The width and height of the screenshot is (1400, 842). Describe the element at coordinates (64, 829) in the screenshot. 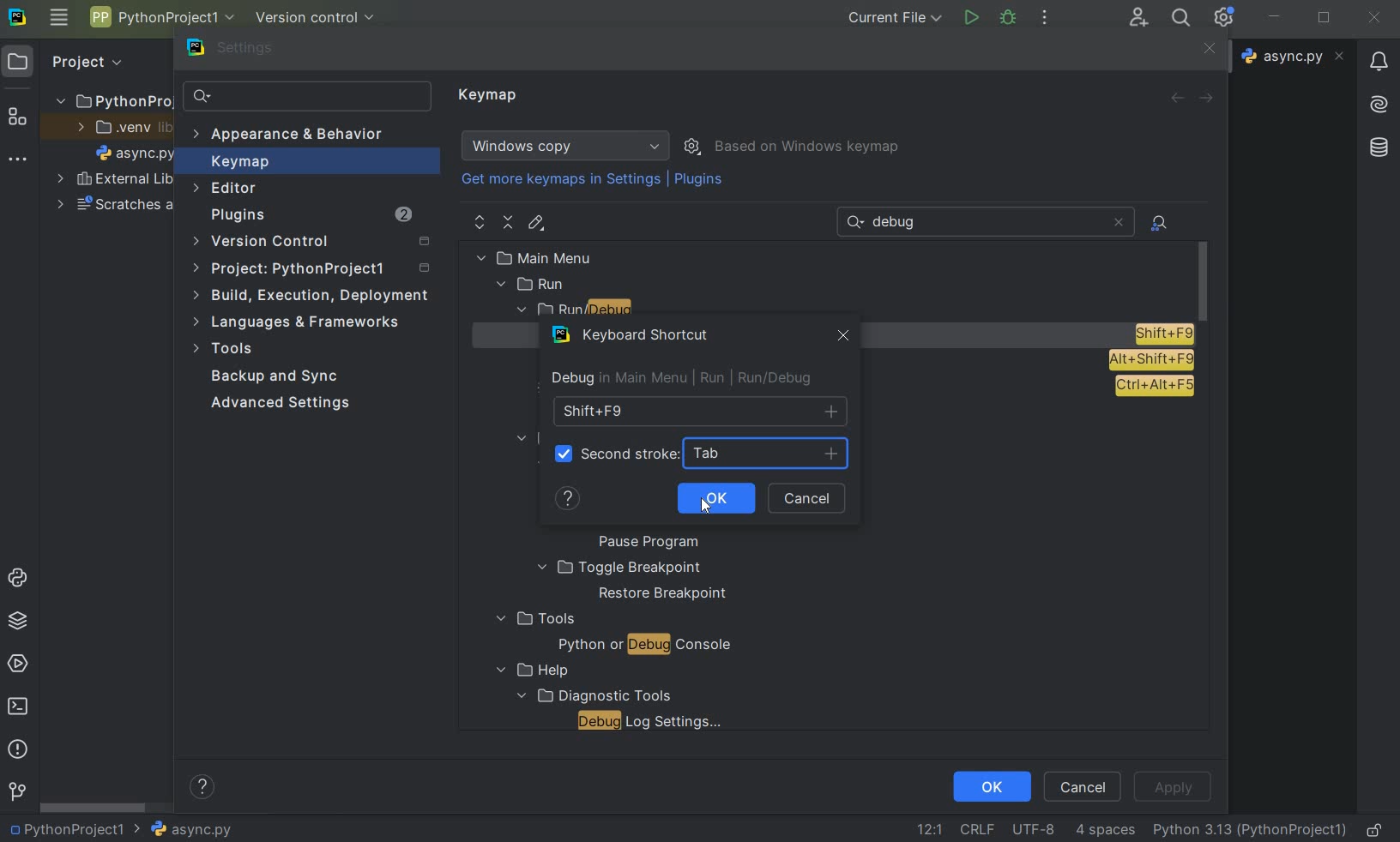

I see `project name` at that location.